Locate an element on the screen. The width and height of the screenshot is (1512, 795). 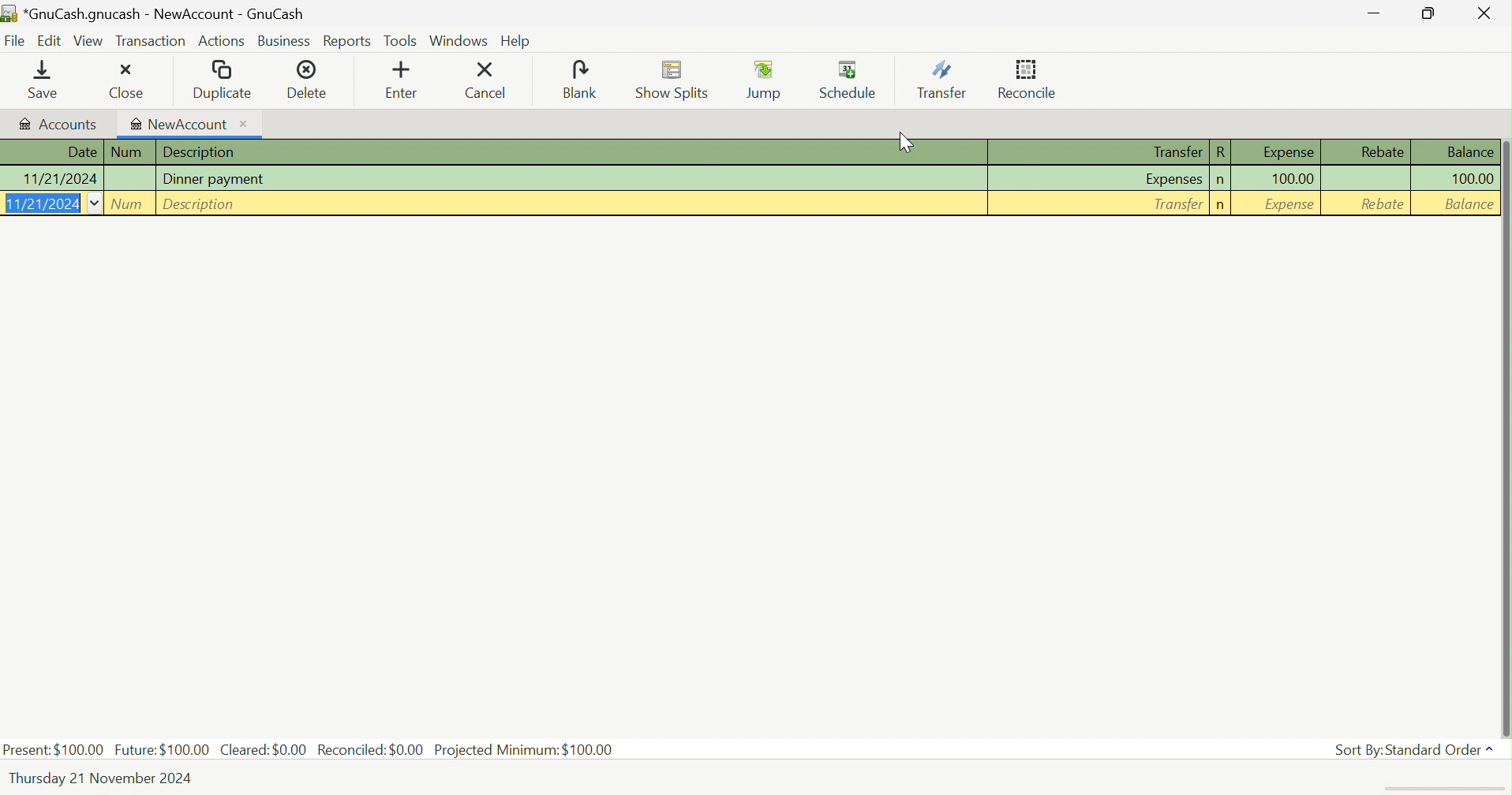
Close is located at coordinates (1481, 13).